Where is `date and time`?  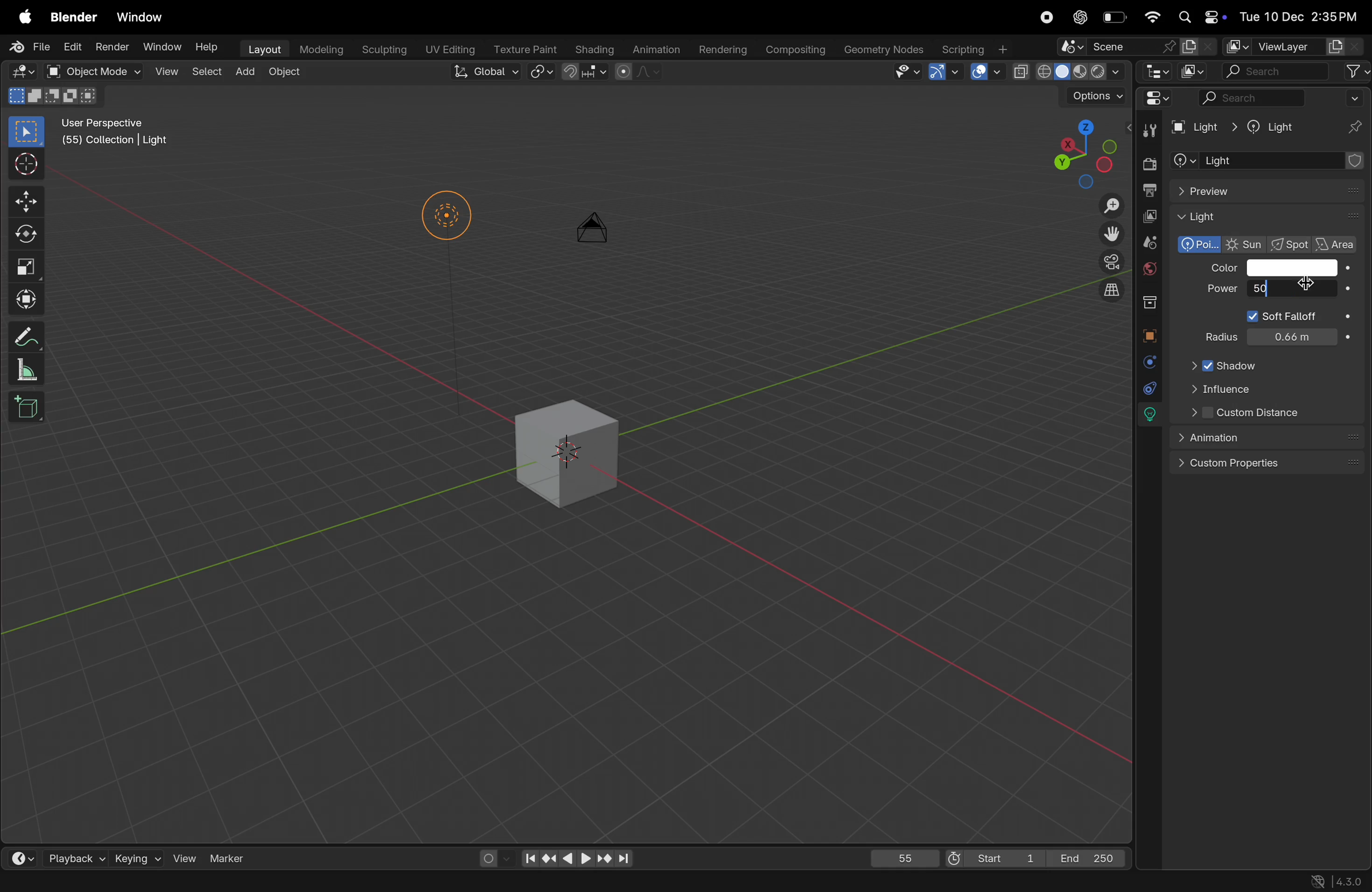 date and time is located at coordinates (1304, 19).